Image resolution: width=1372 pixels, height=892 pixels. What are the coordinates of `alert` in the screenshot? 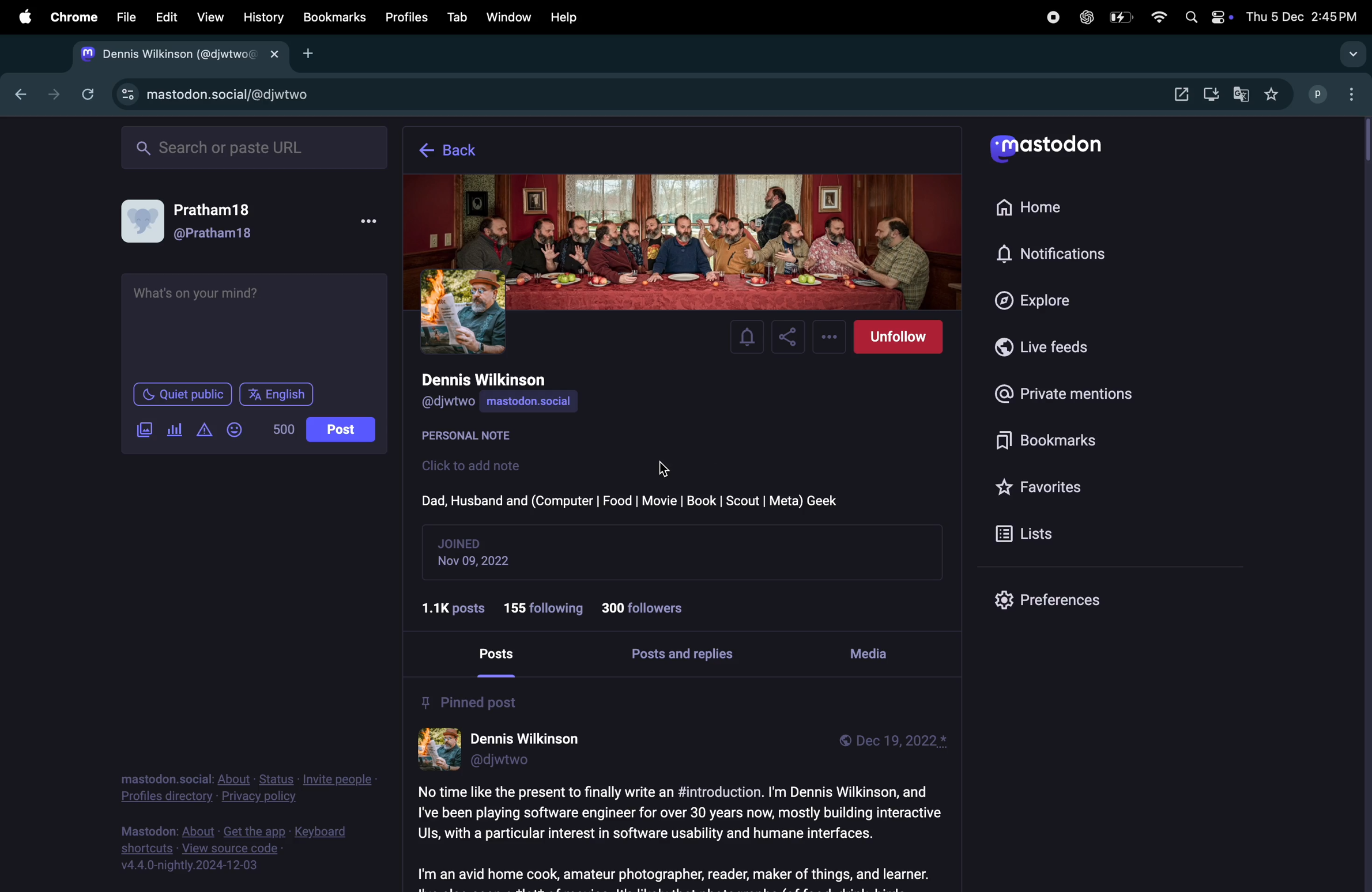 It's located at (203, 432).